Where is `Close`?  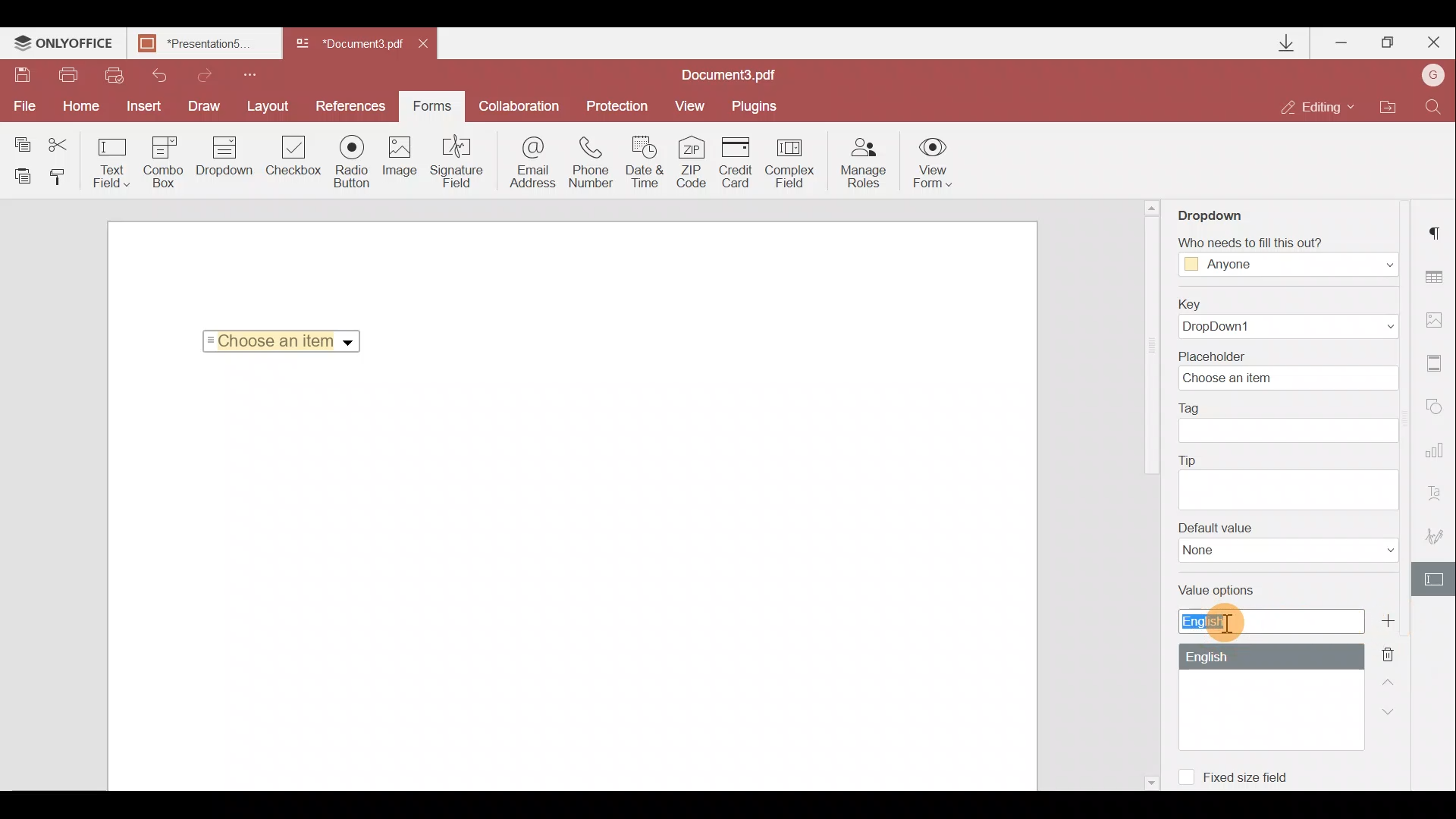 Close is located at coordinates (1432, 39).